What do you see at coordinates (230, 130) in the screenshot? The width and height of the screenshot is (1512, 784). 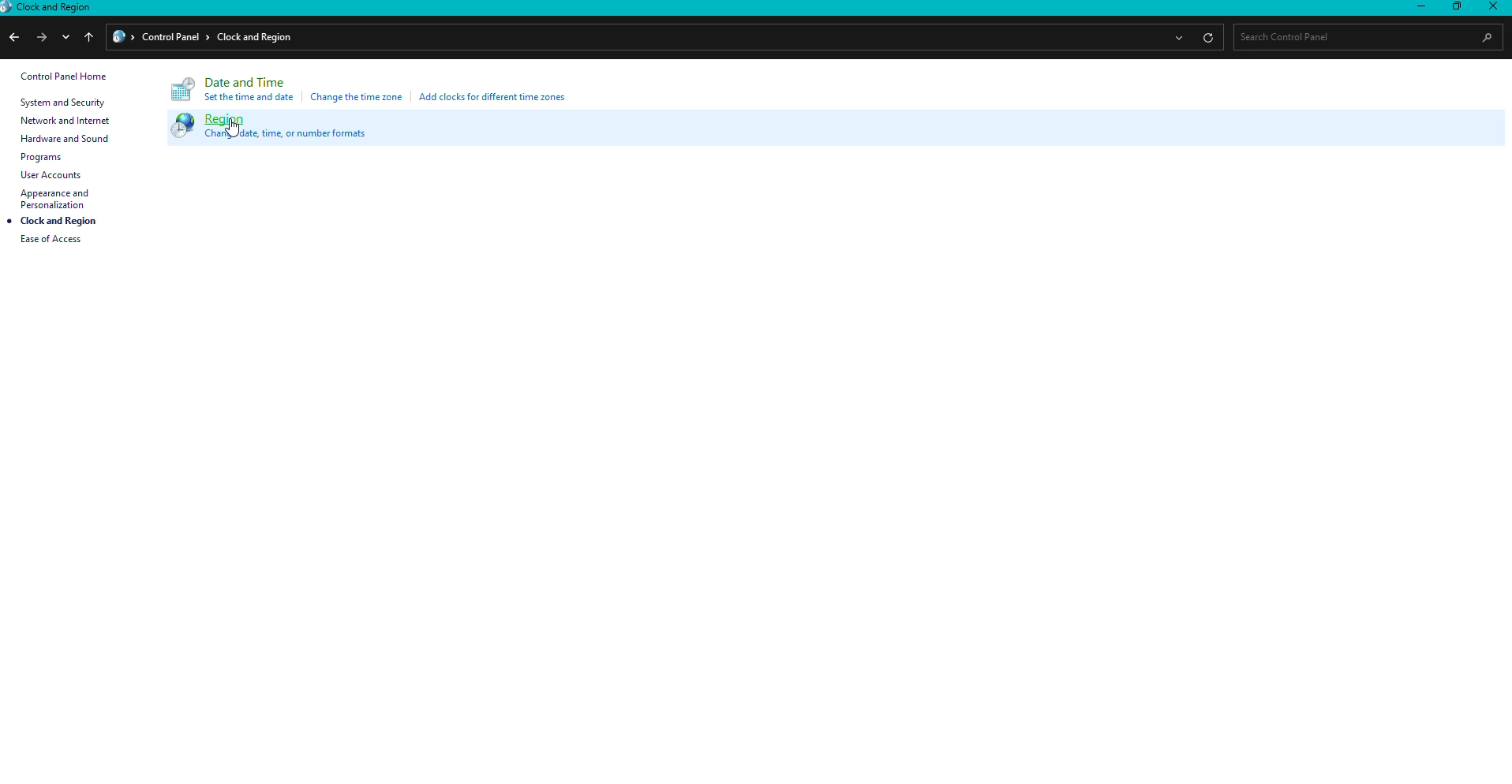 I see `cusor` at bounding box center [230, 130].